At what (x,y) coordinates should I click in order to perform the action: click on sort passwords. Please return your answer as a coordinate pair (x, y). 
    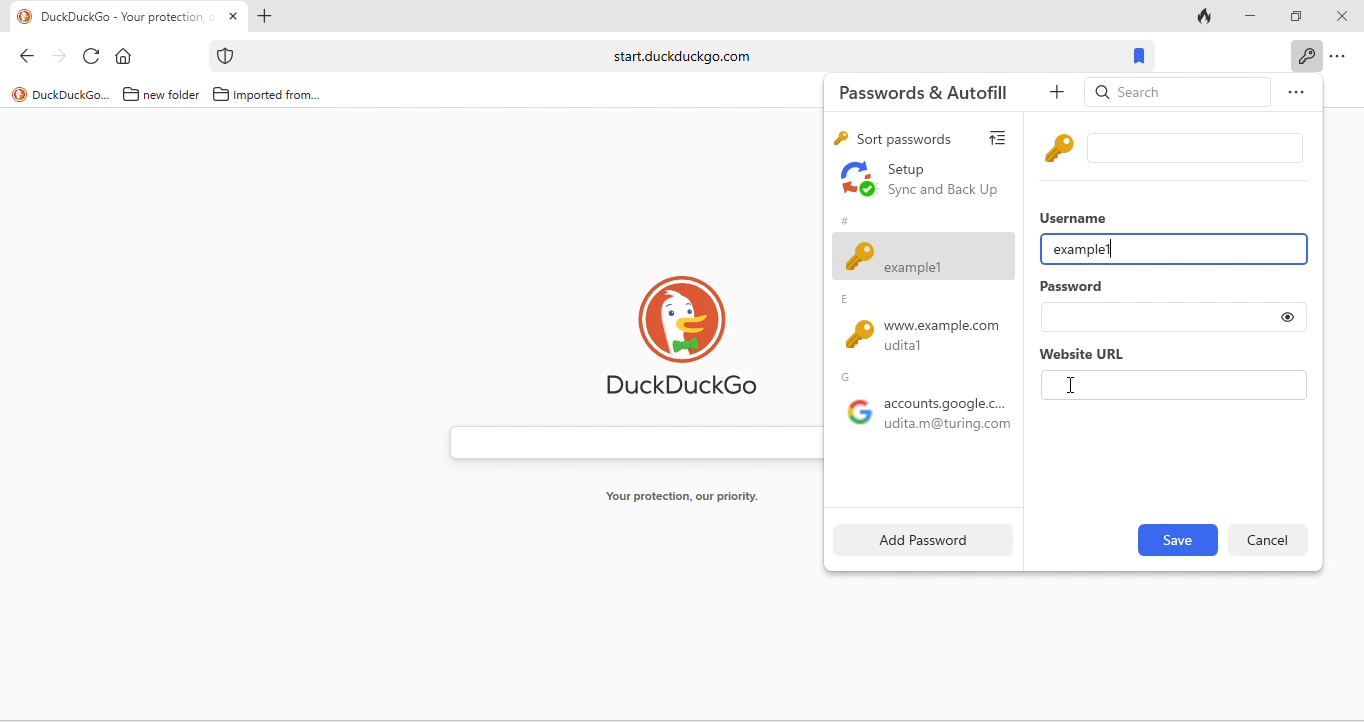
    Looking at the image, I should click on (905, 139).